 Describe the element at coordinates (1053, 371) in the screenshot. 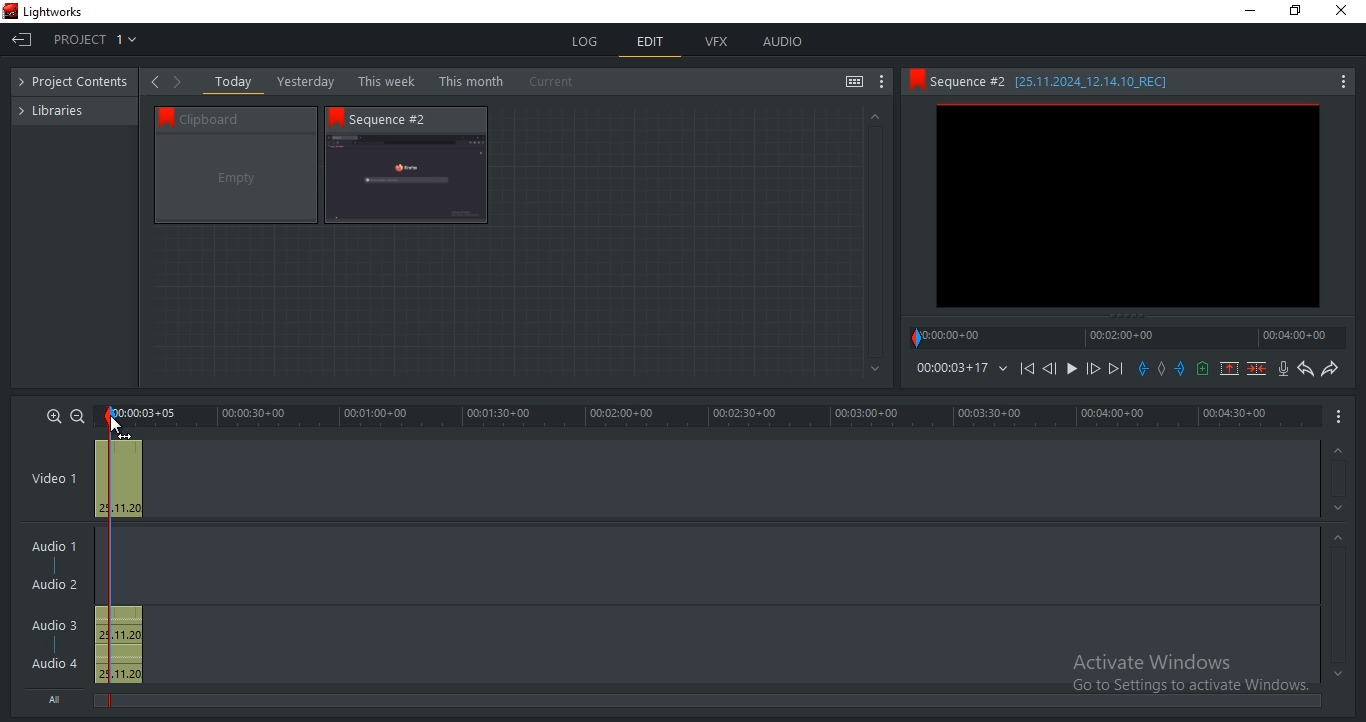

I see `Nudge one frame back` at that location.